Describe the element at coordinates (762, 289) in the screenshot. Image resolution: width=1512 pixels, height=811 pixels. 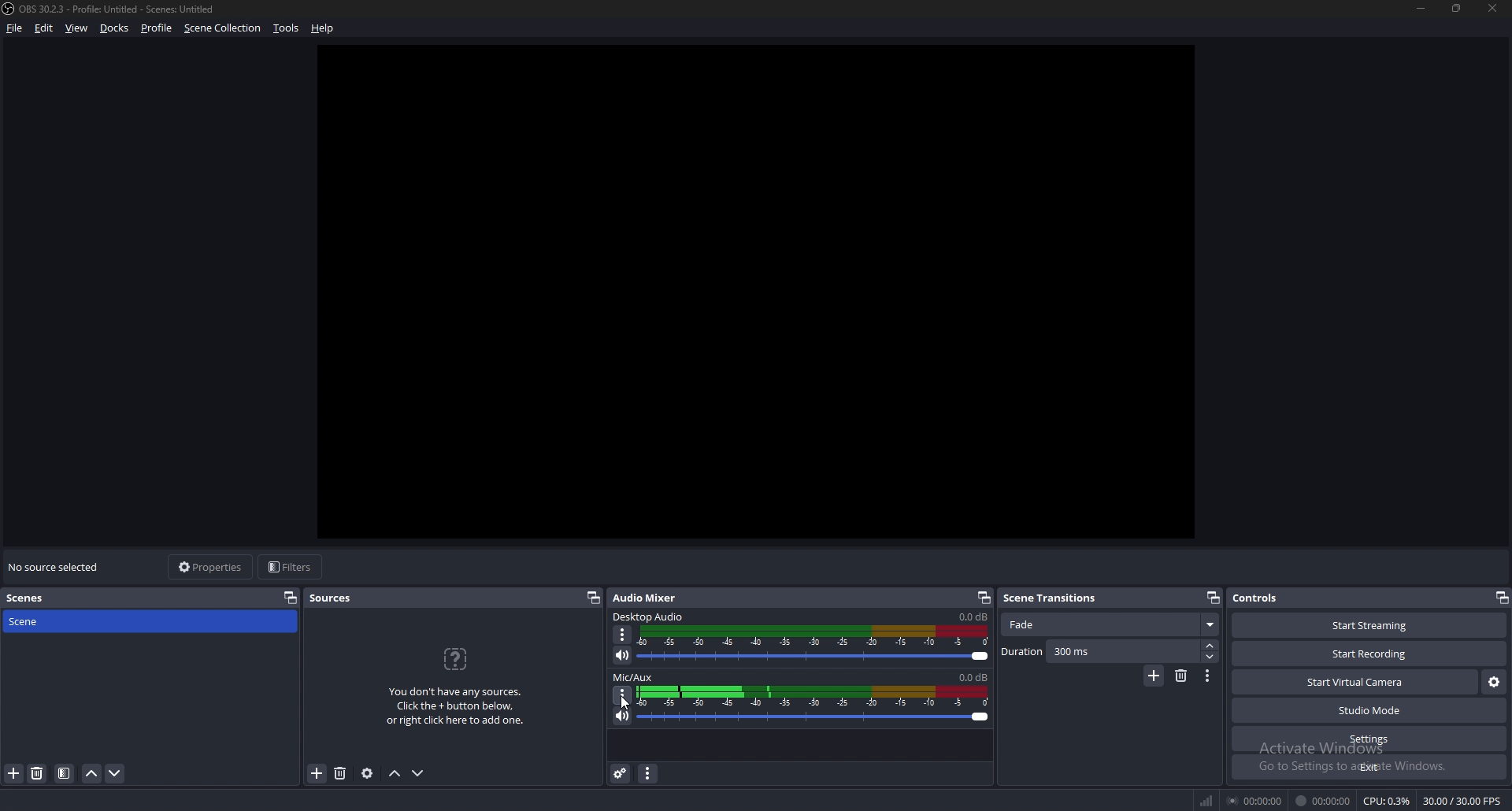
I see `preview` at that location.